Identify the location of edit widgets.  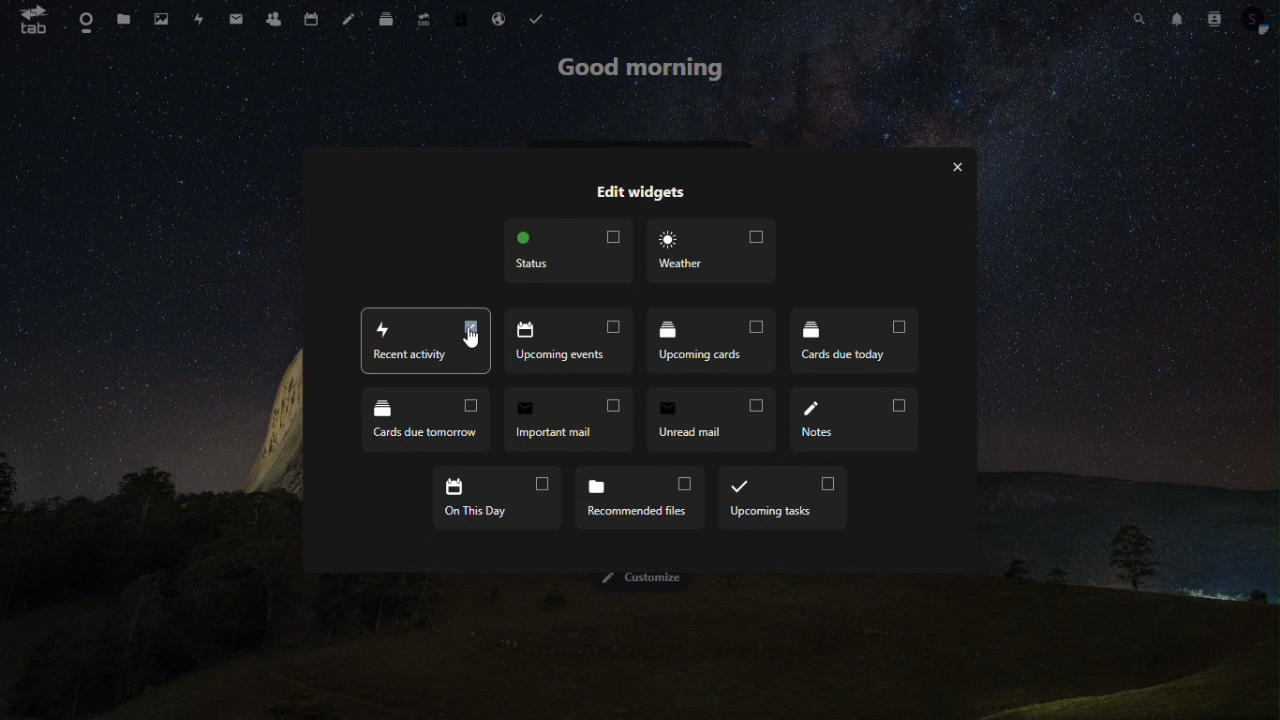
(639, 188).